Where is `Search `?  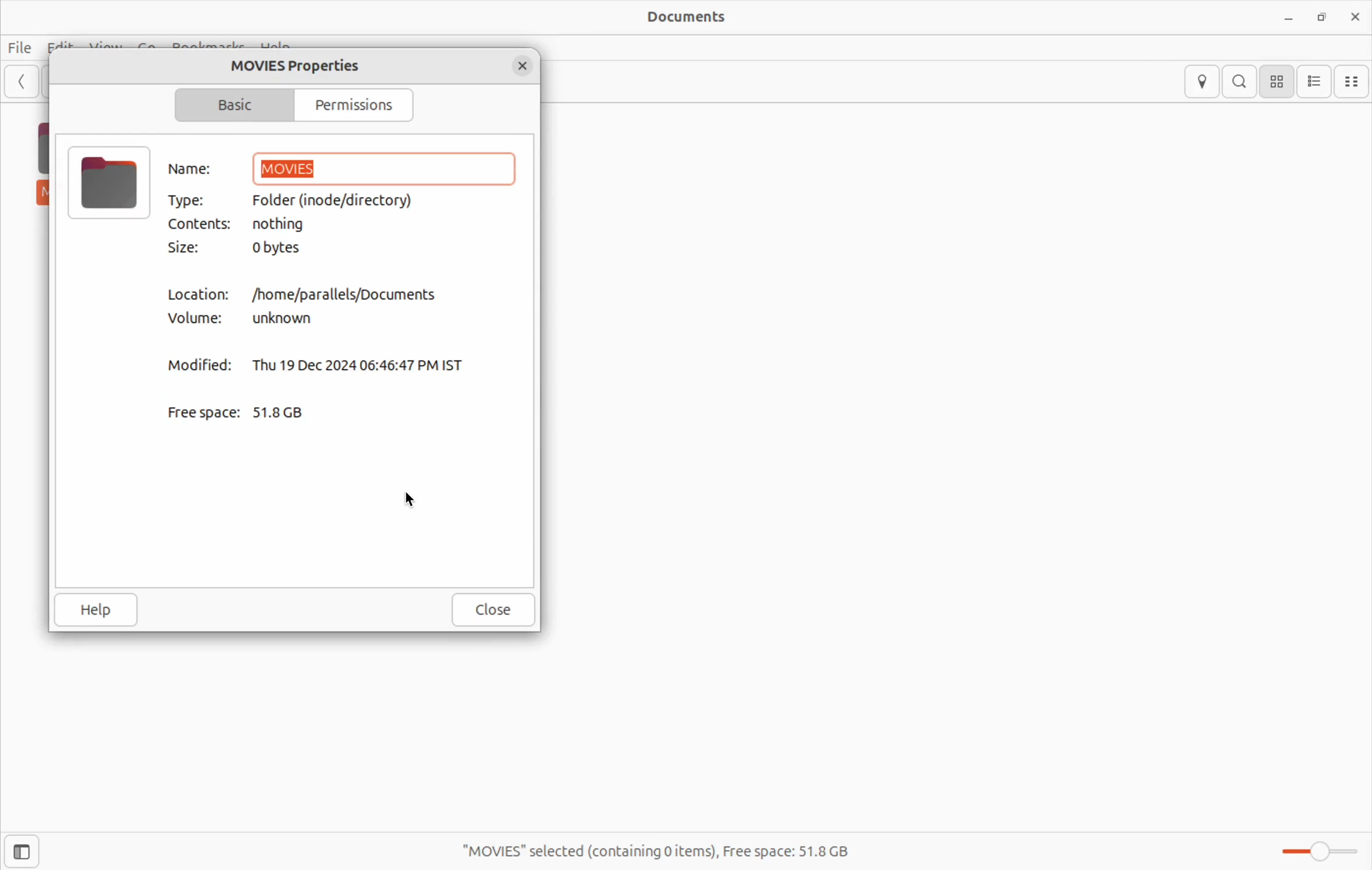
Search  is located at coordinates (1241, 82).